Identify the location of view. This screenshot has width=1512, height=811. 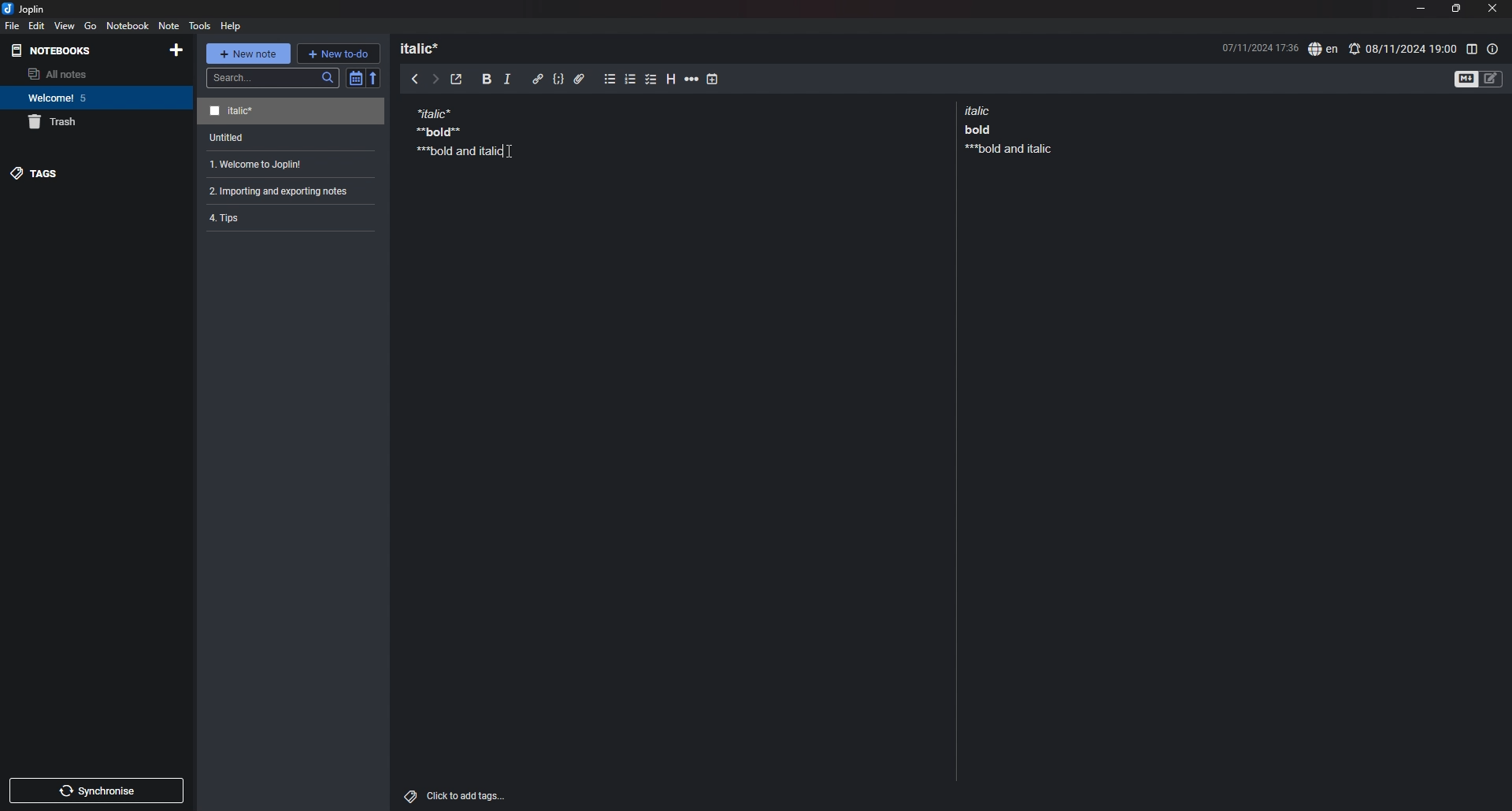
(65, 25).